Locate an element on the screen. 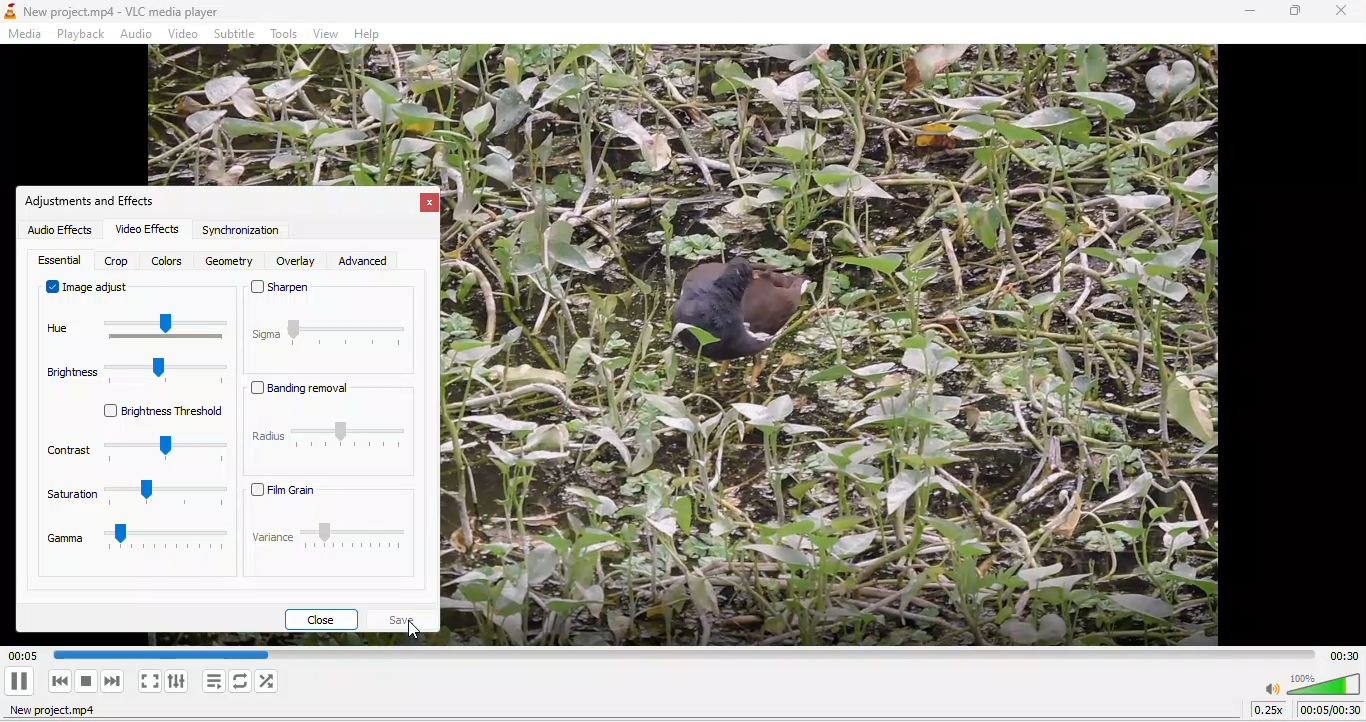  brightness is located at coordinates (142, 375).